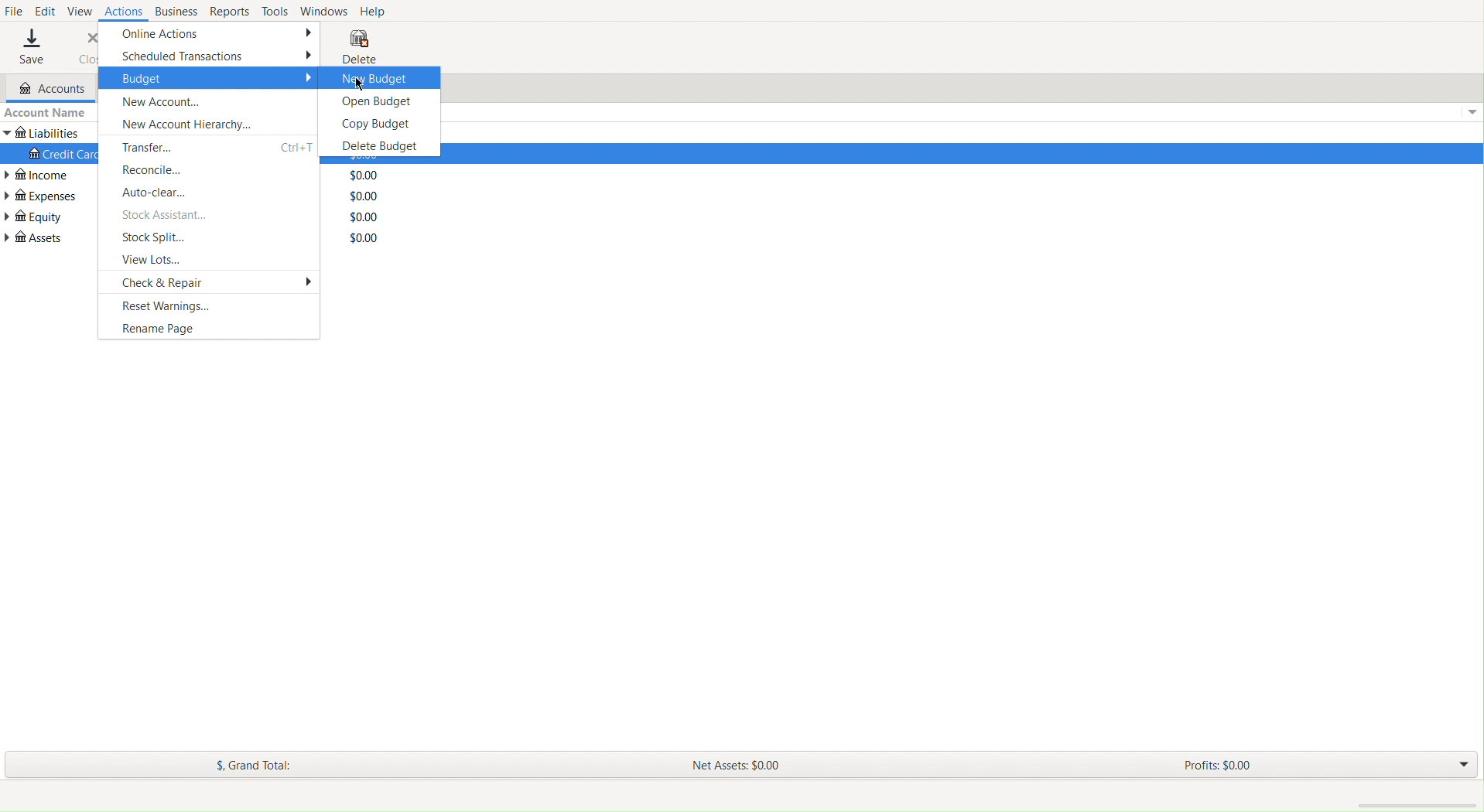  What do you see at coordinates (162, 193) in the screenshot?
I see `Auto-clear` at bounding box center [162, 193].